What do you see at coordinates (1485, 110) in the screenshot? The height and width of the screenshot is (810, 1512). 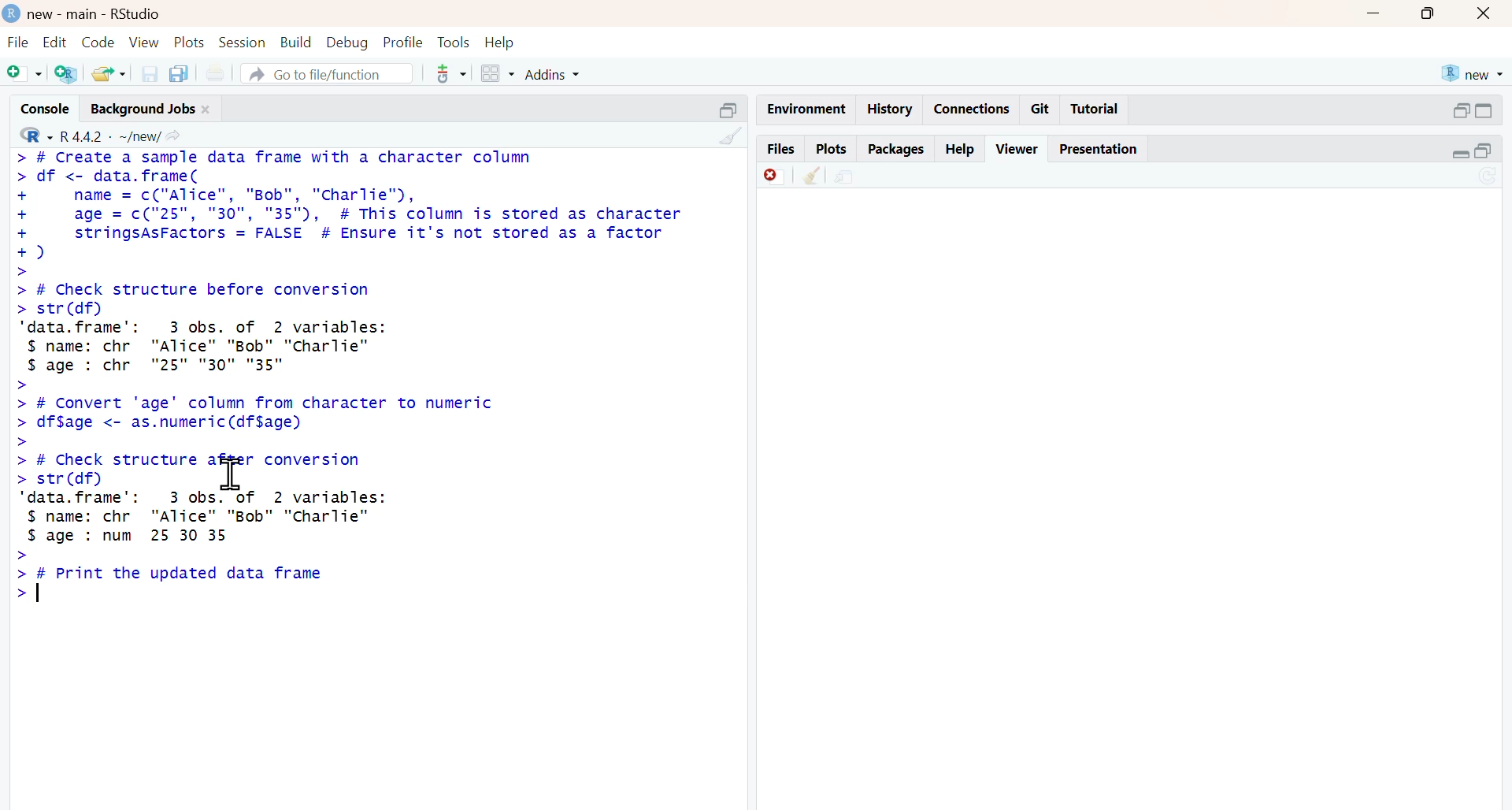 I see `expand/collapse` at bounding box center [1485, 110].